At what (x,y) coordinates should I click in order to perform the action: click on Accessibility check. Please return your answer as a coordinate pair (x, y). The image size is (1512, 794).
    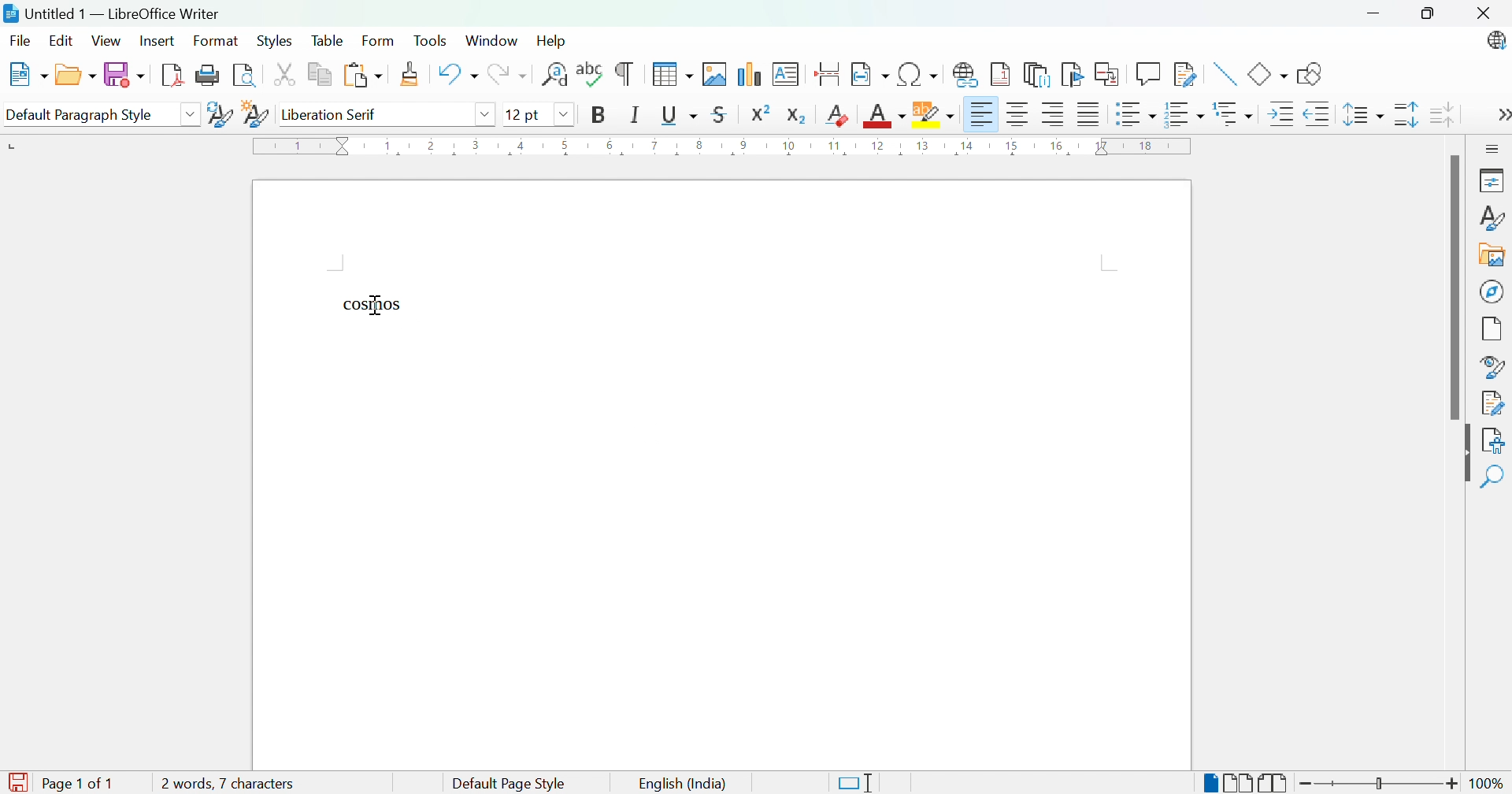
    Looking at the image, I should click on (1496, 442).